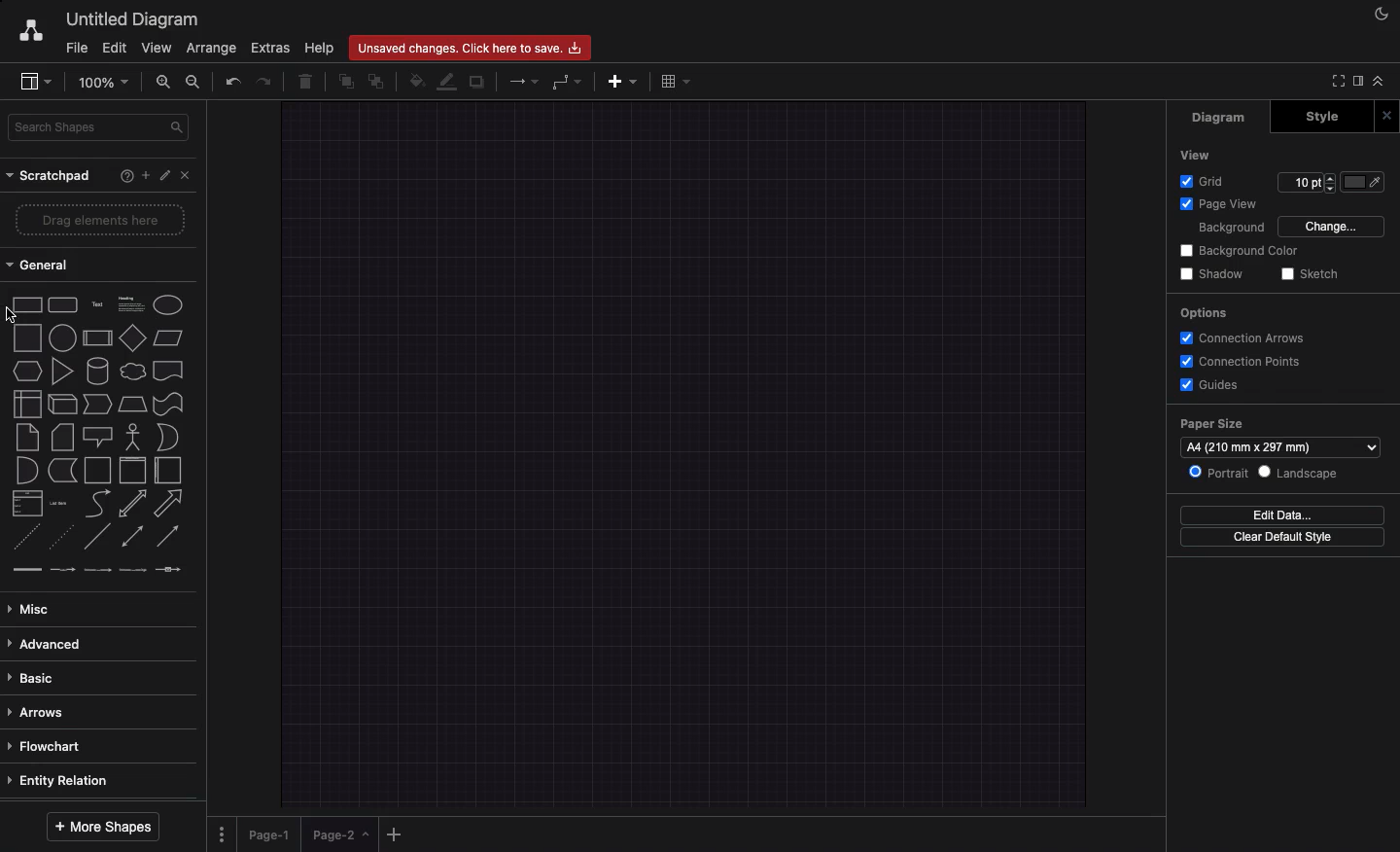 The image size is (1400, 852). Describe the element at coordinates (170, 338) in the screenshot. I see `parallelogram` at that location.